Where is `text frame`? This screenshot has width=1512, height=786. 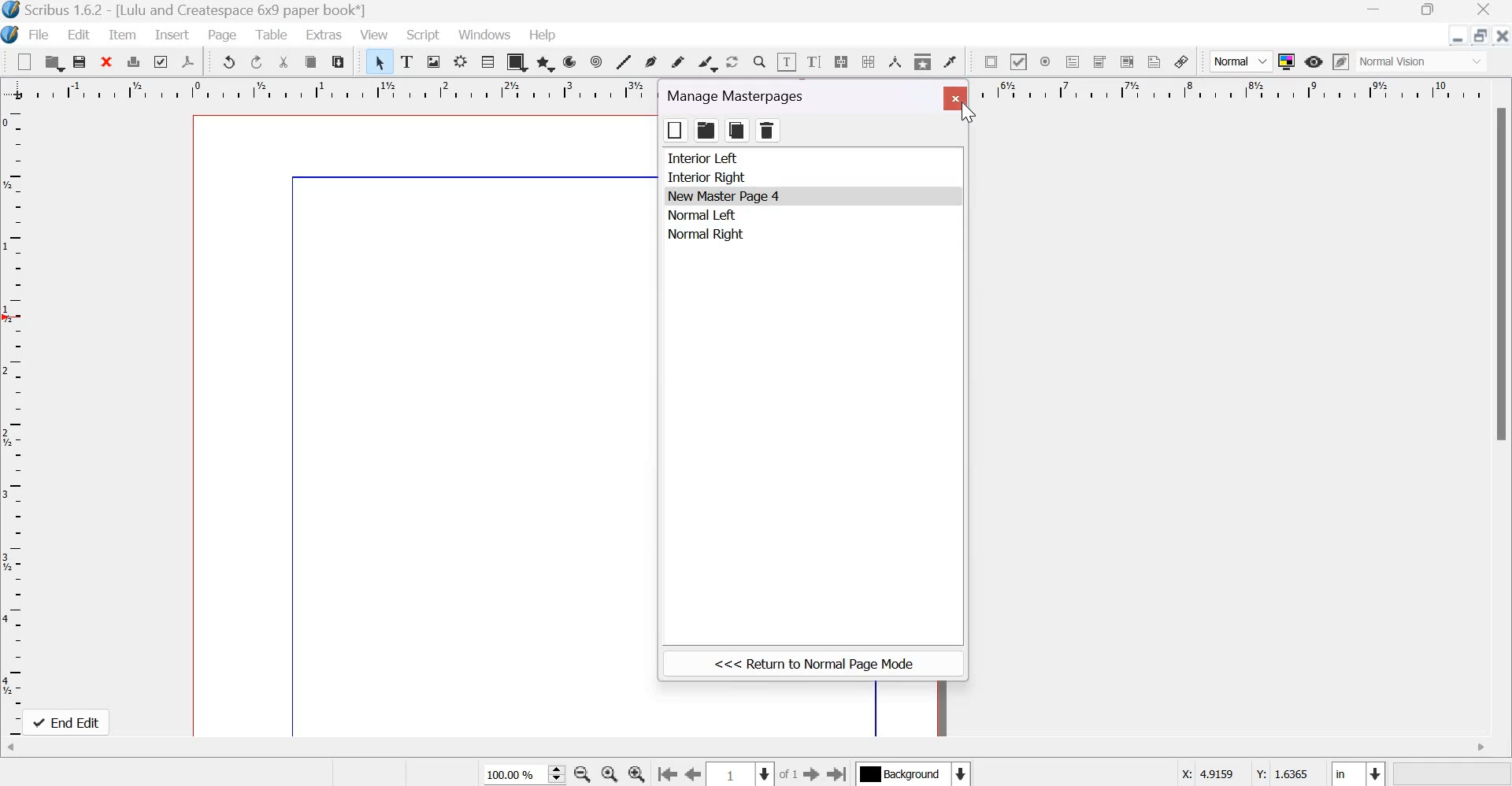 text frame is located at coordinates (407, 62).